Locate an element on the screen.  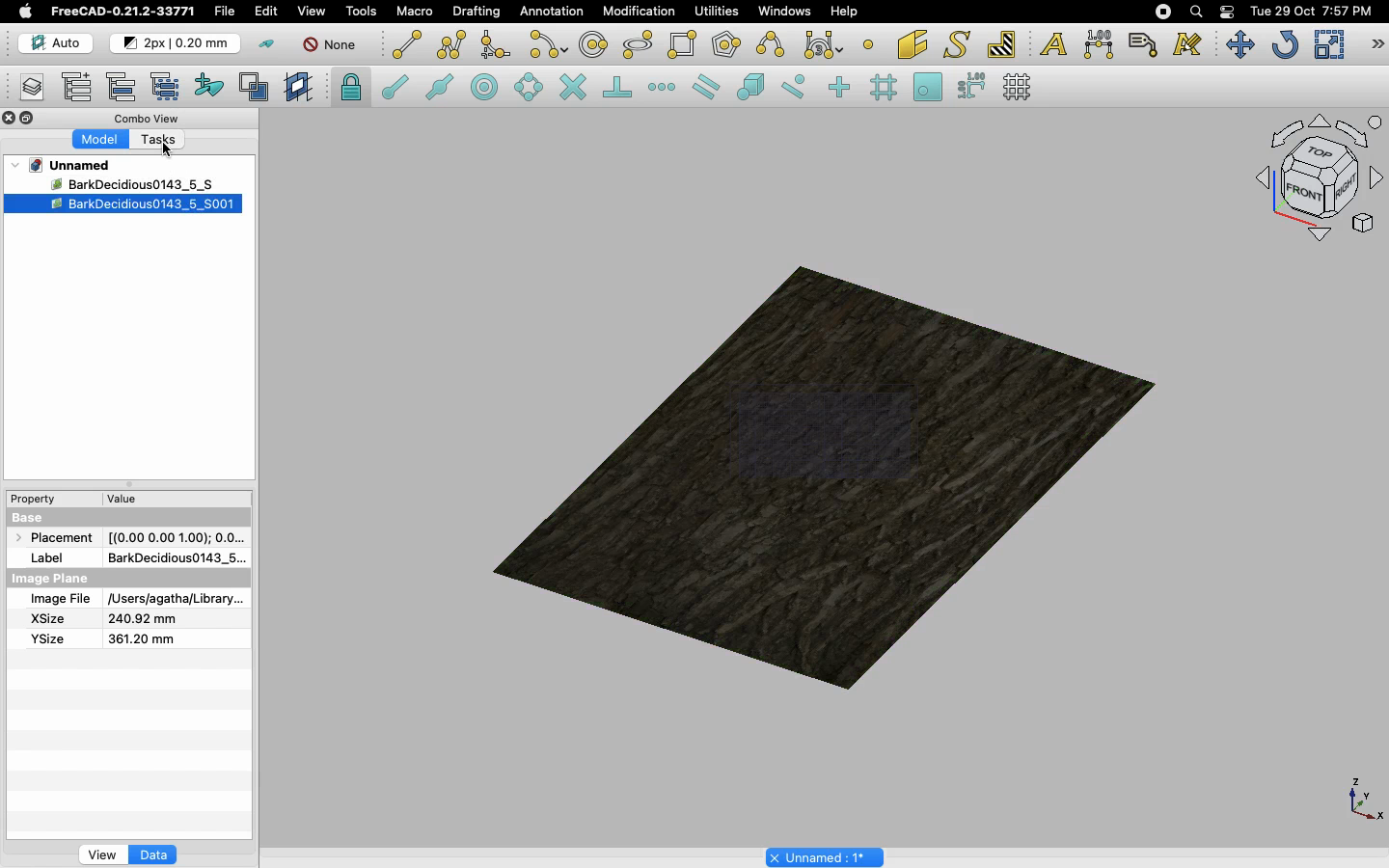
Hatch is located at coordinates (1002, 44).